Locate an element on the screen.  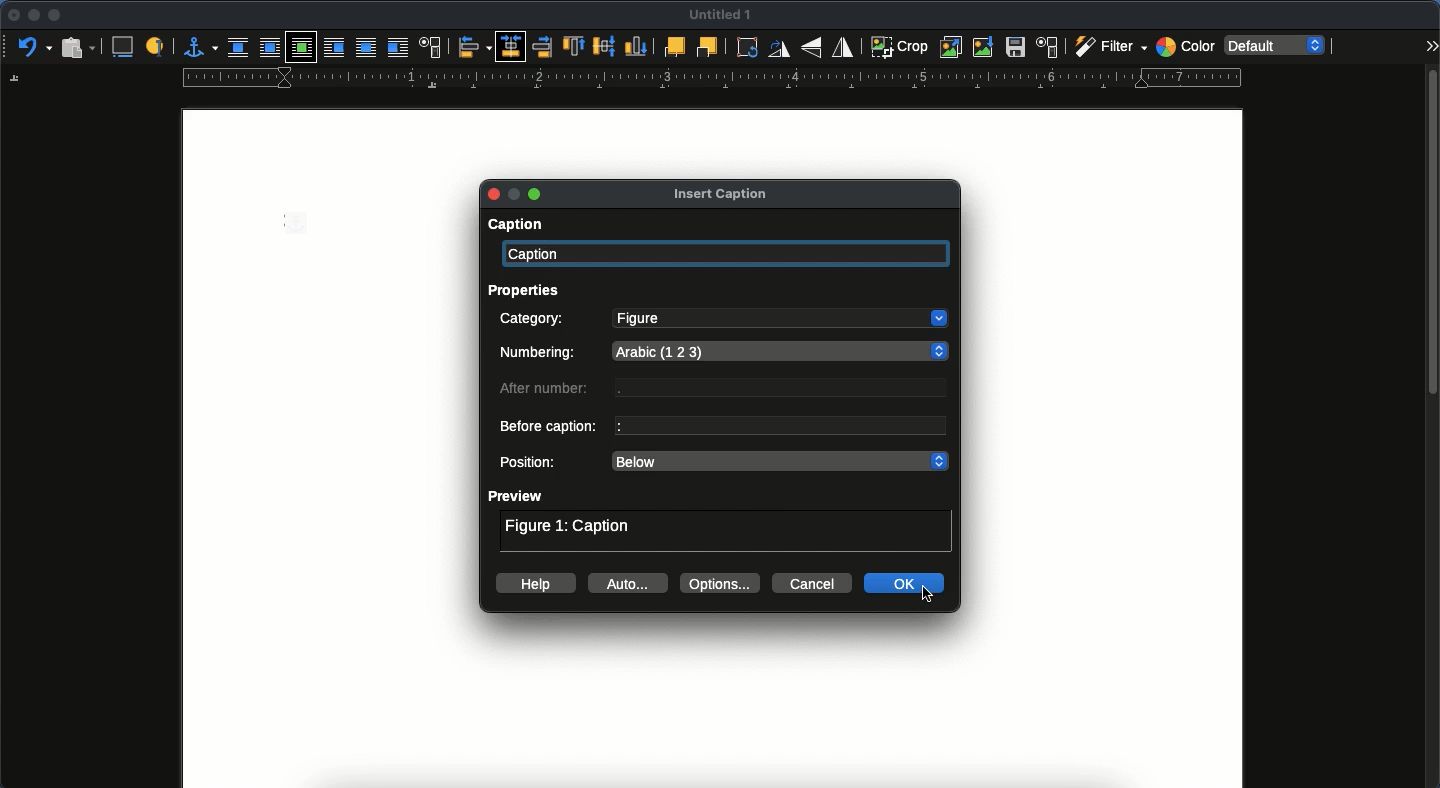
scroll is located at coordinates (1431, 425).